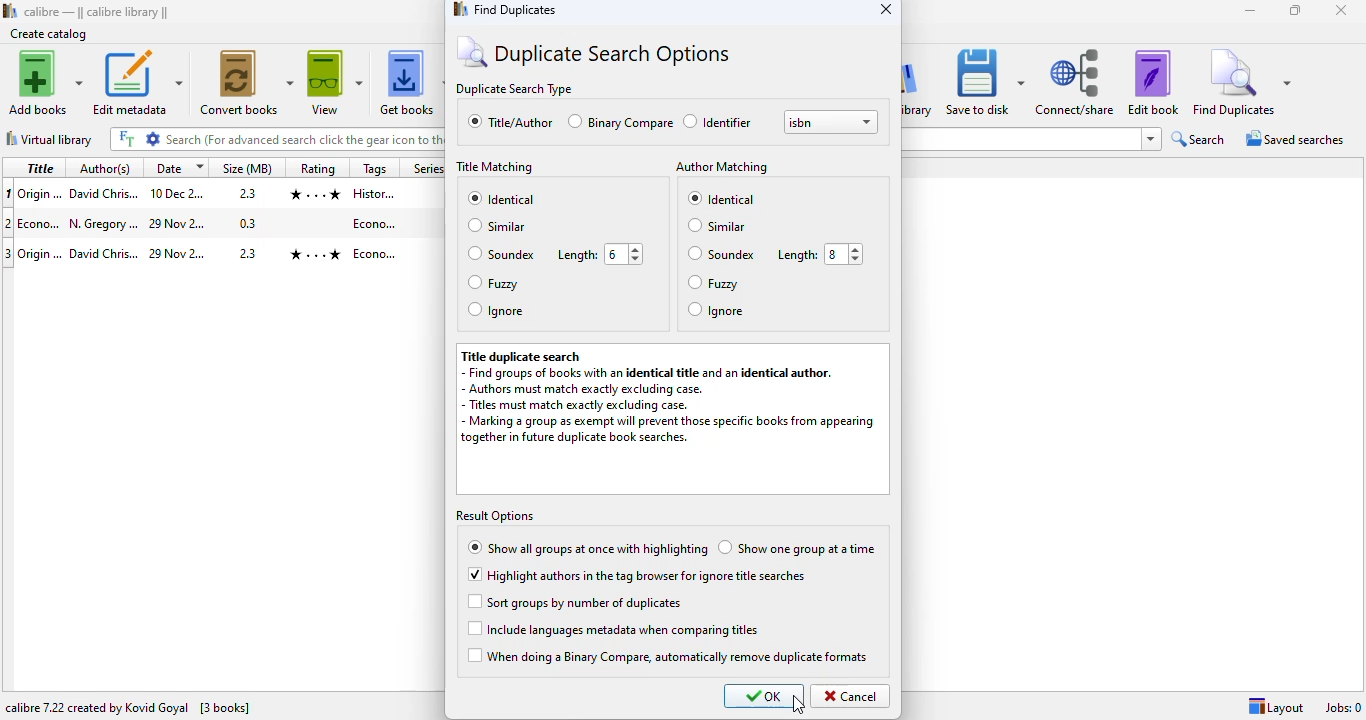  Describe the element at coordinates (886, 9) in the screenshot. I see `close` at that location.